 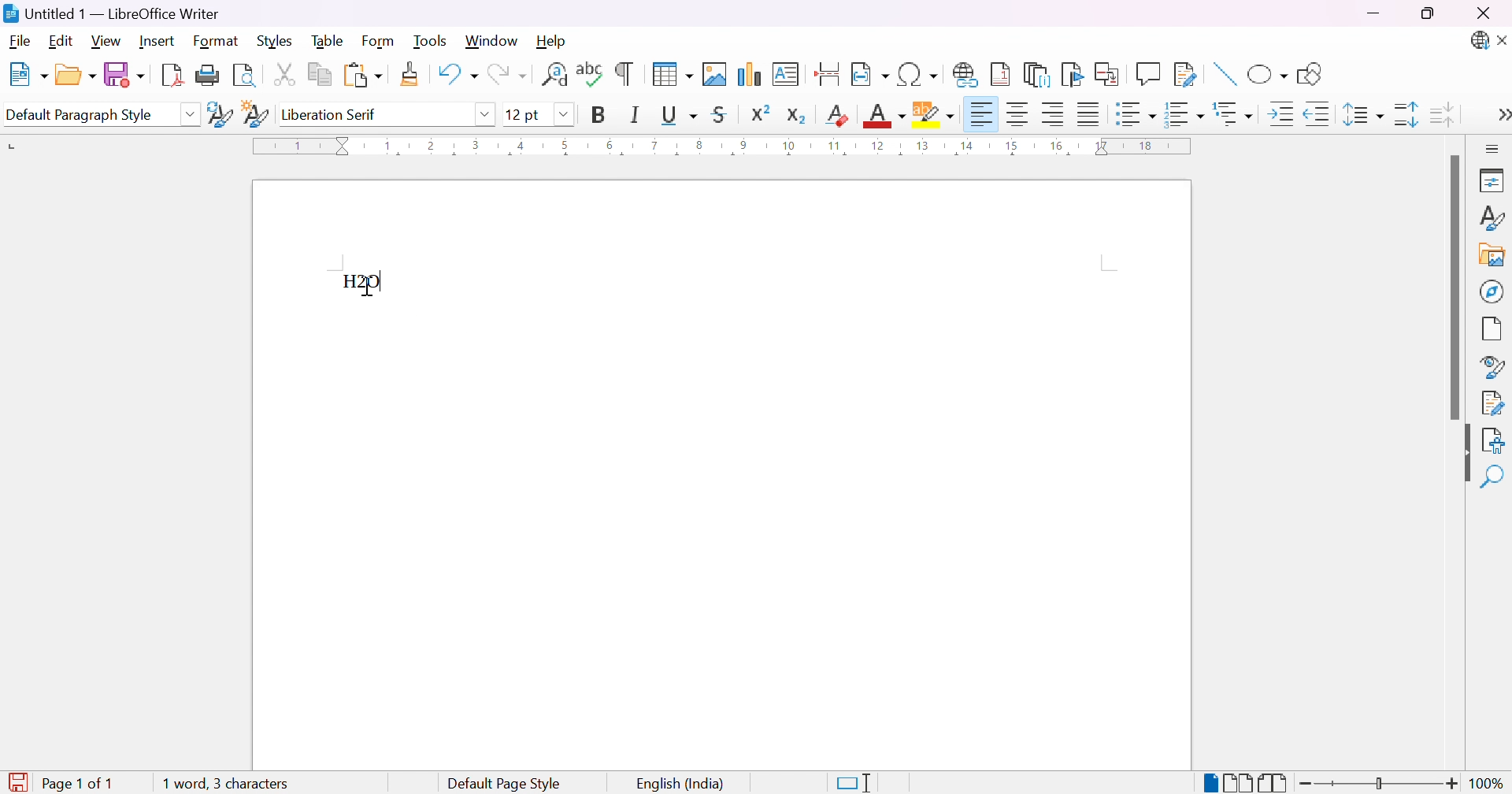 I want to click on Insert, so click(x=157, y=41).